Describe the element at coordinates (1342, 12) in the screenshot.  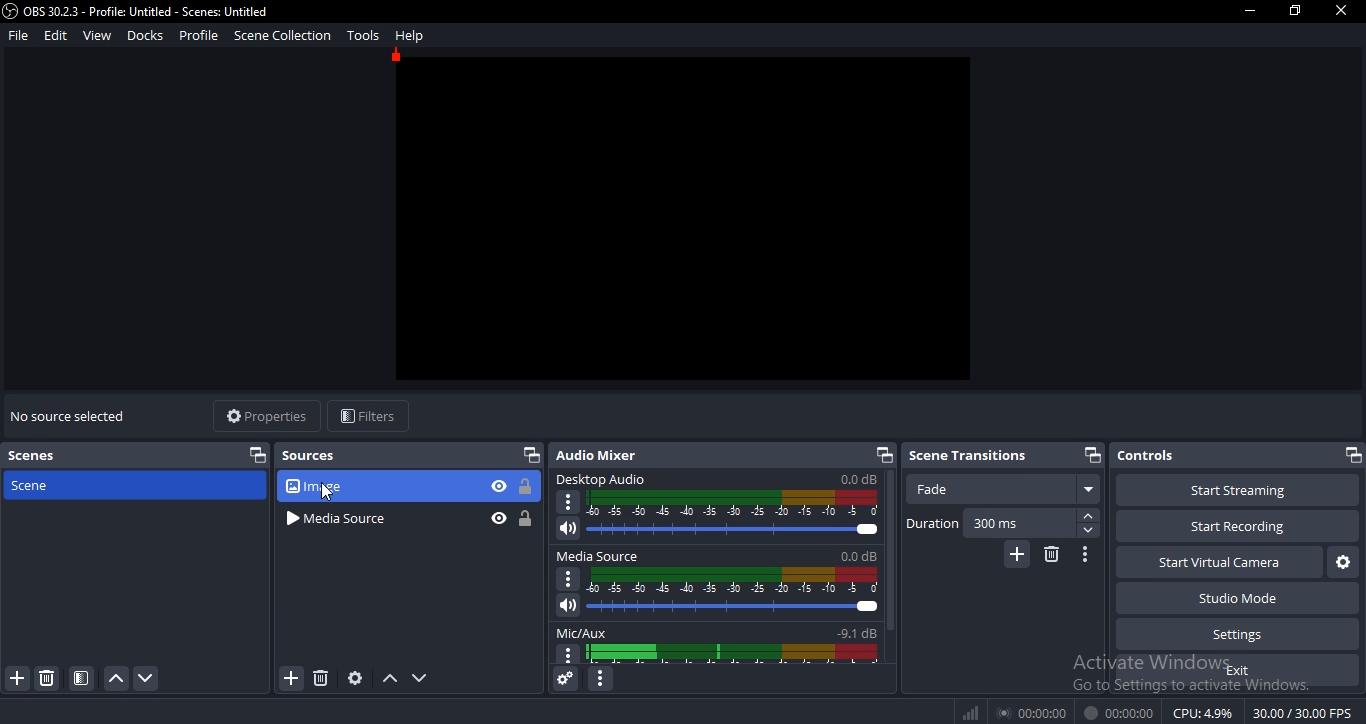
I see `close` at that location.